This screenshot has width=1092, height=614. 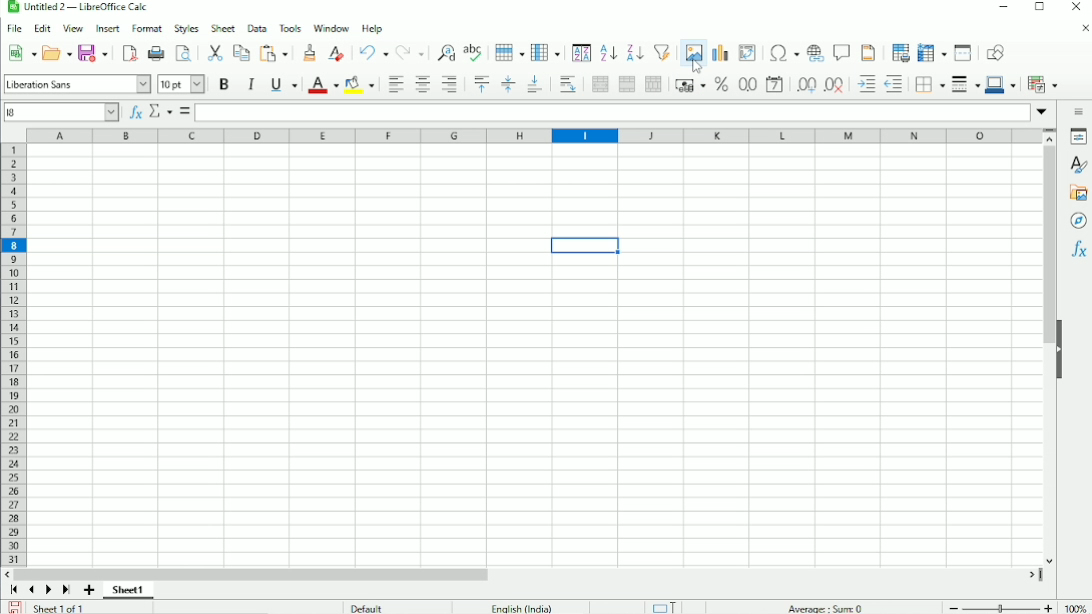 I want to click on Print, so click(x=156, y=53).